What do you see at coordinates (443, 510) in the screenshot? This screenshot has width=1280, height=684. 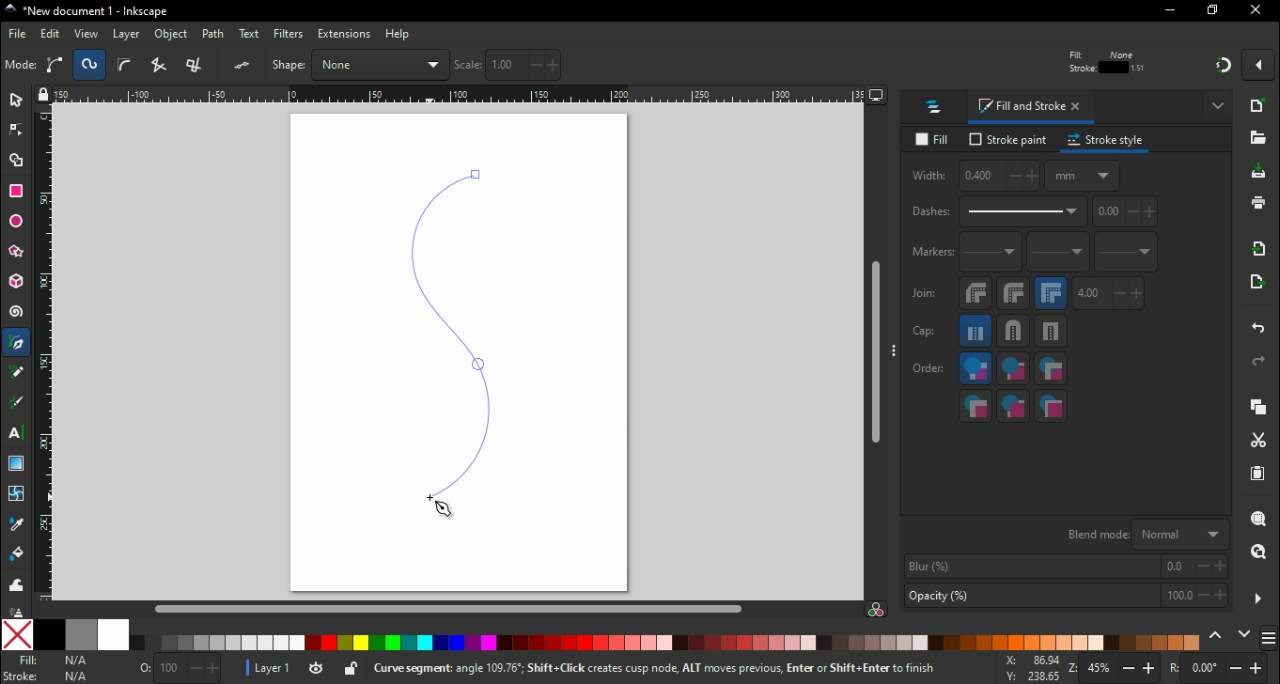 I see `mouse pointer` at bounding box center [443, 510].